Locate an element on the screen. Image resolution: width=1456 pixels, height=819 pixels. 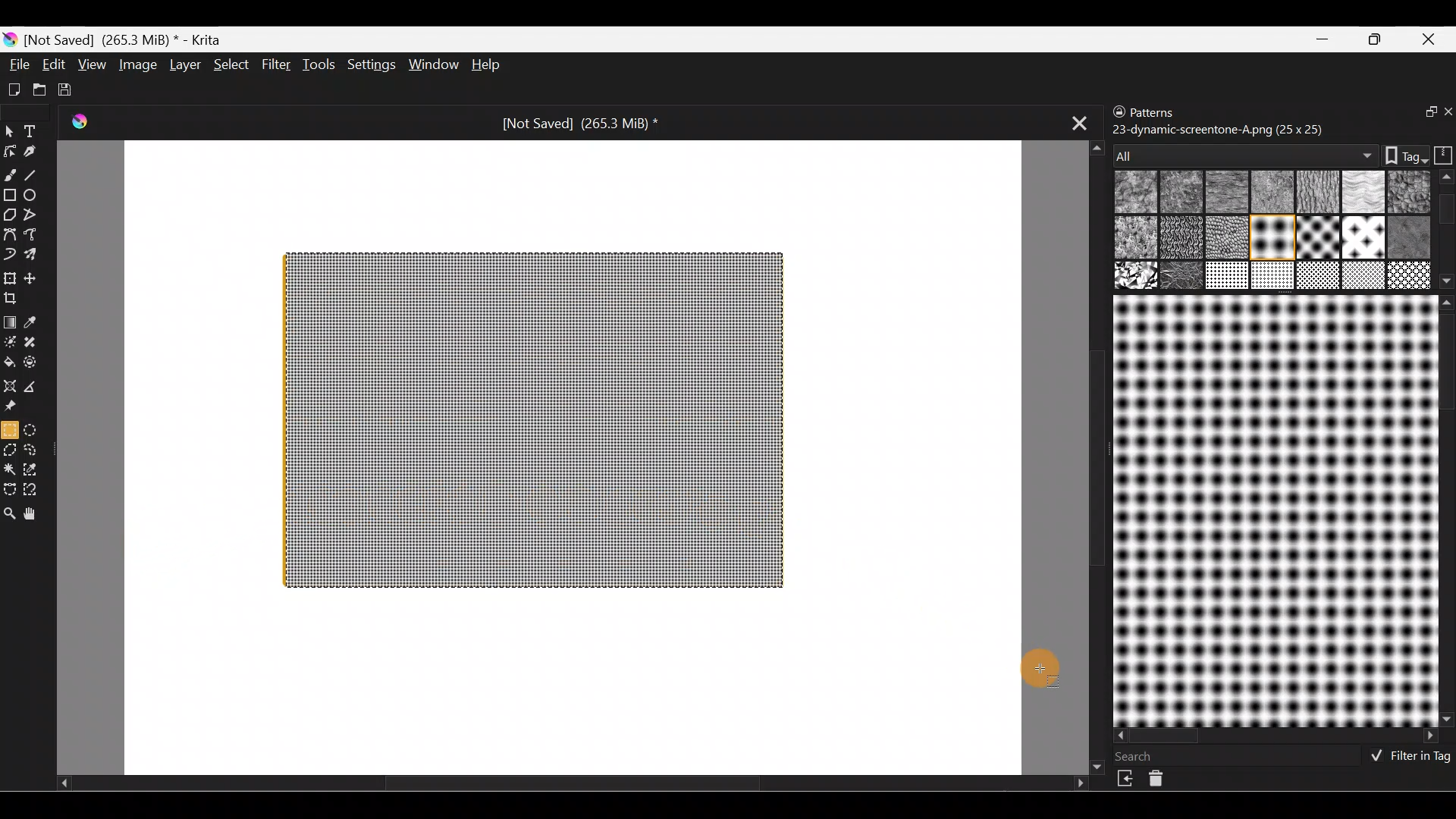
01 canvas.png is located at coordinates (1133, 193).